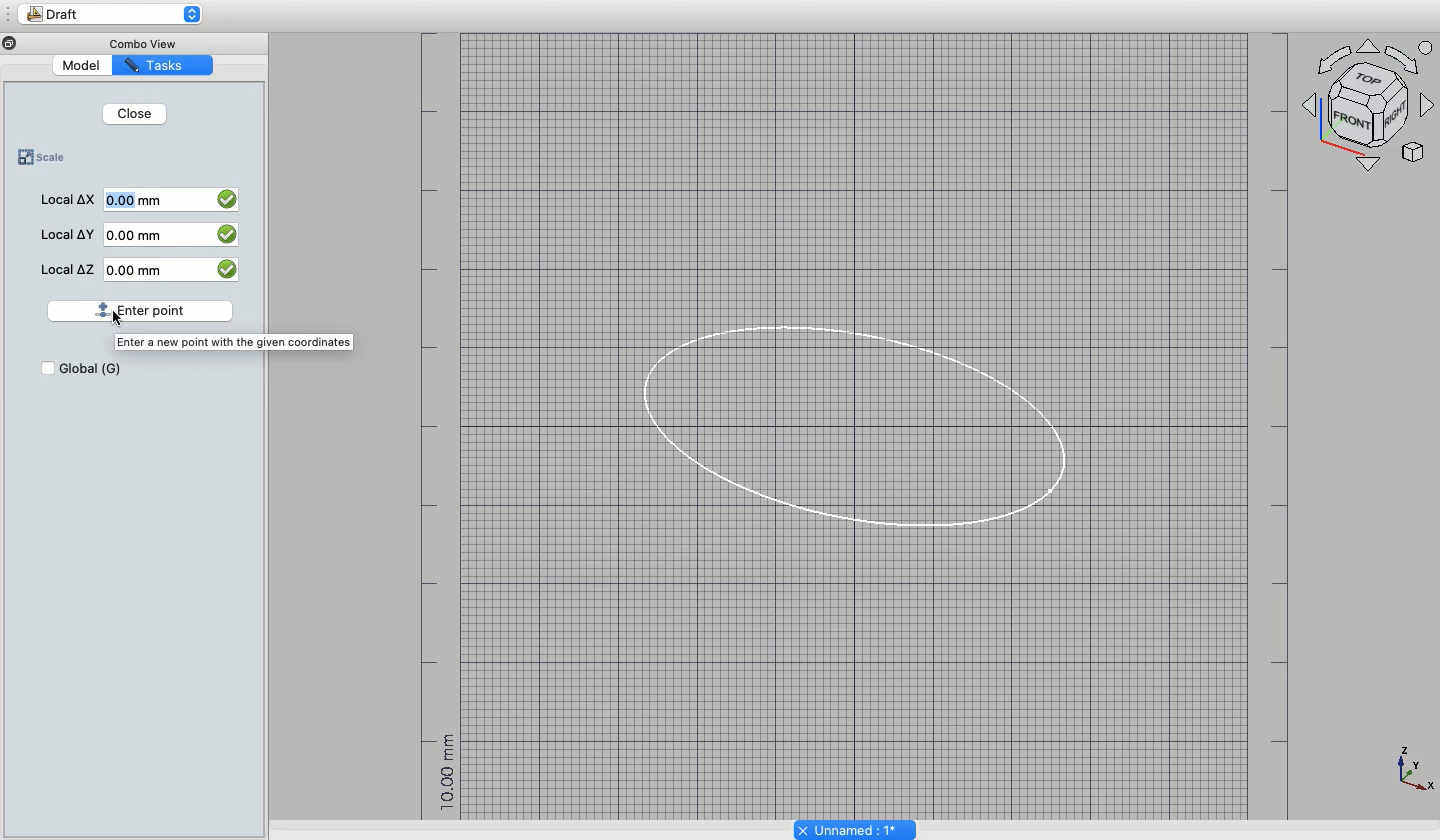 This screenshot has height=840, width=1440. I want to click on Draft, so click(120, 15).